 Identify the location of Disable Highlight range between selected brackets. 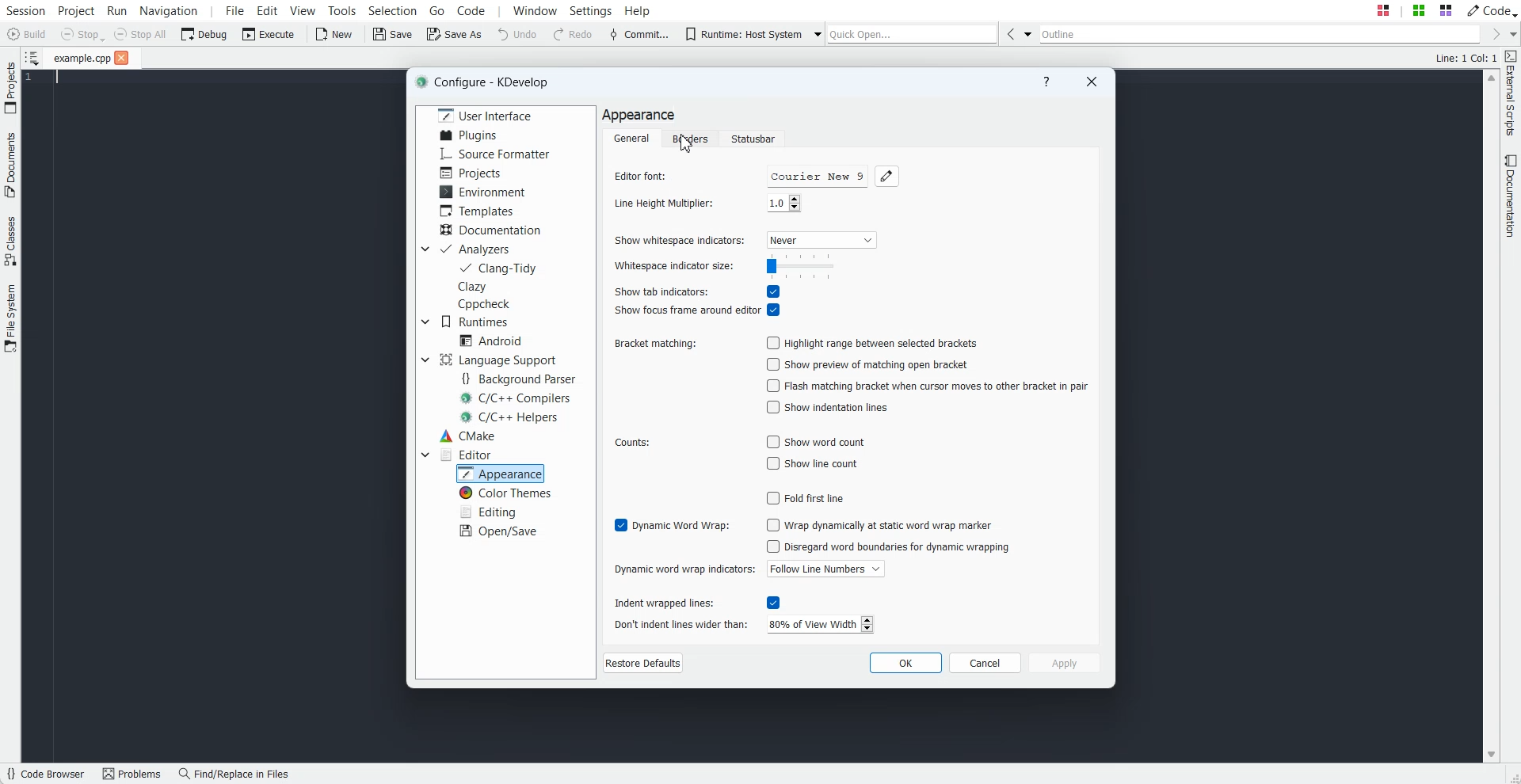
(873, 344).